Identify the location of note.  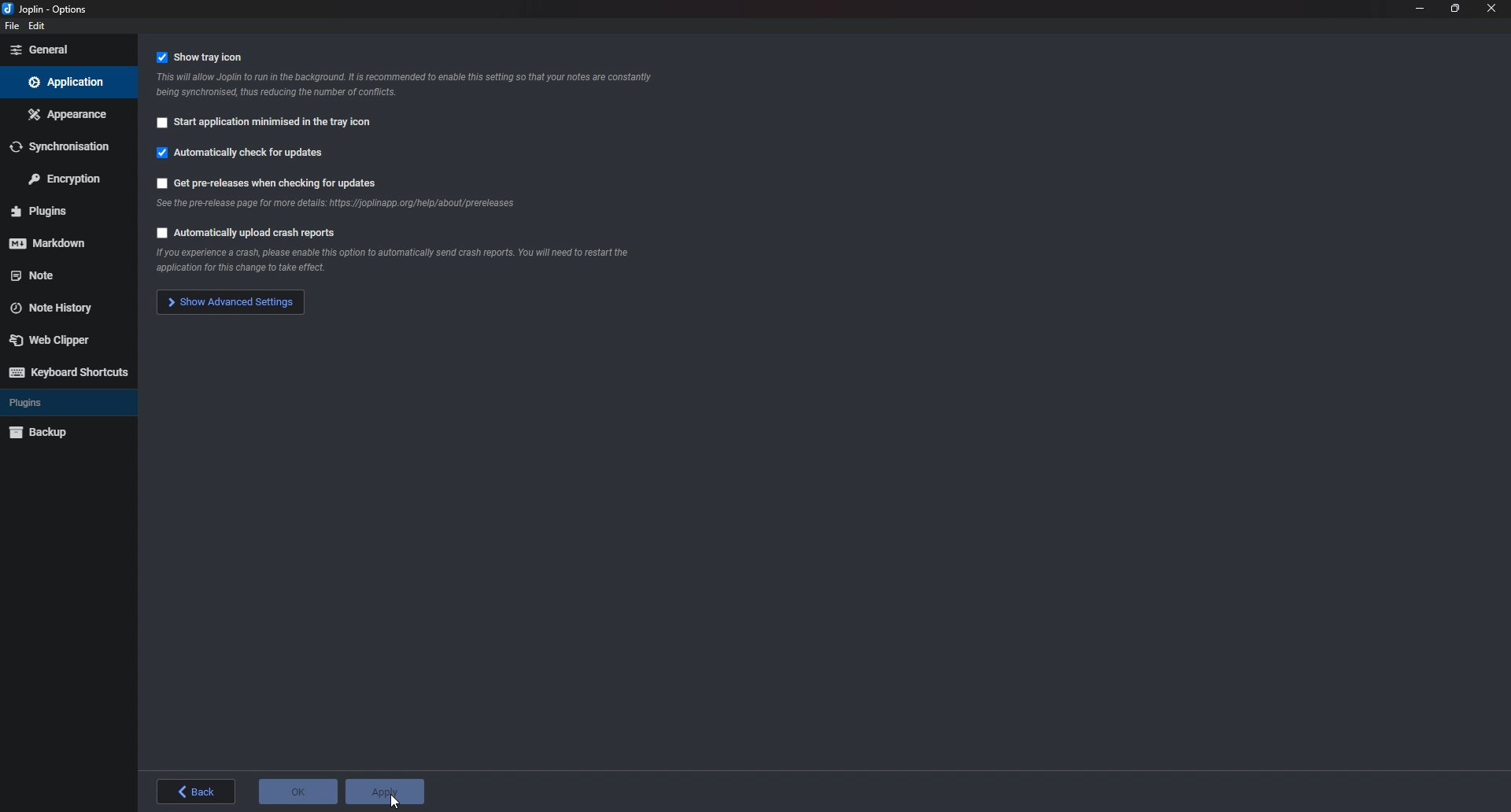
(58, 275).